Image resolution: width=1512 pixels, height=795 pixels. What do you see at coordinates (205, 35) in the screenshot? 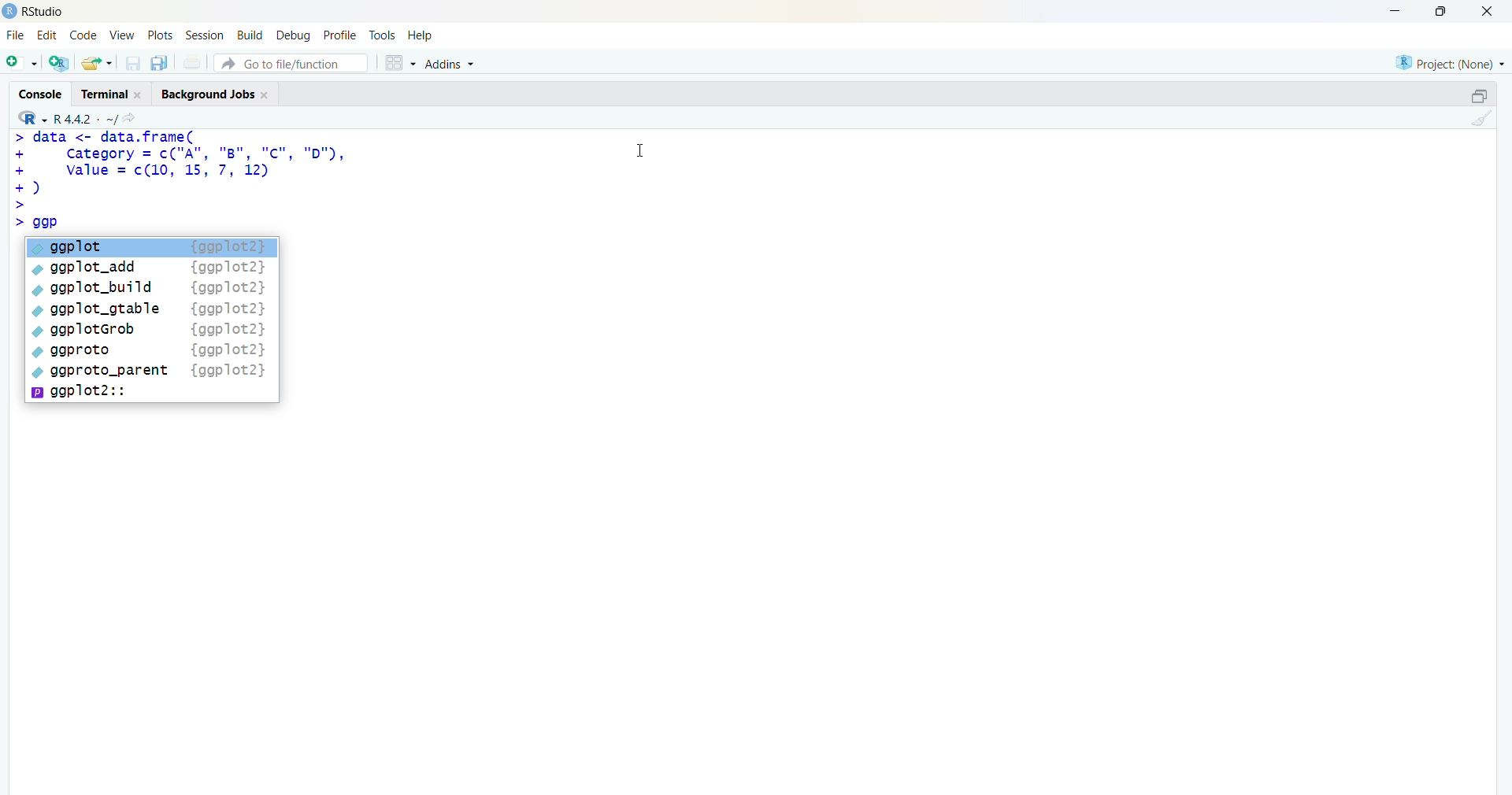
I see `Session` at bounding box center [205, 35].